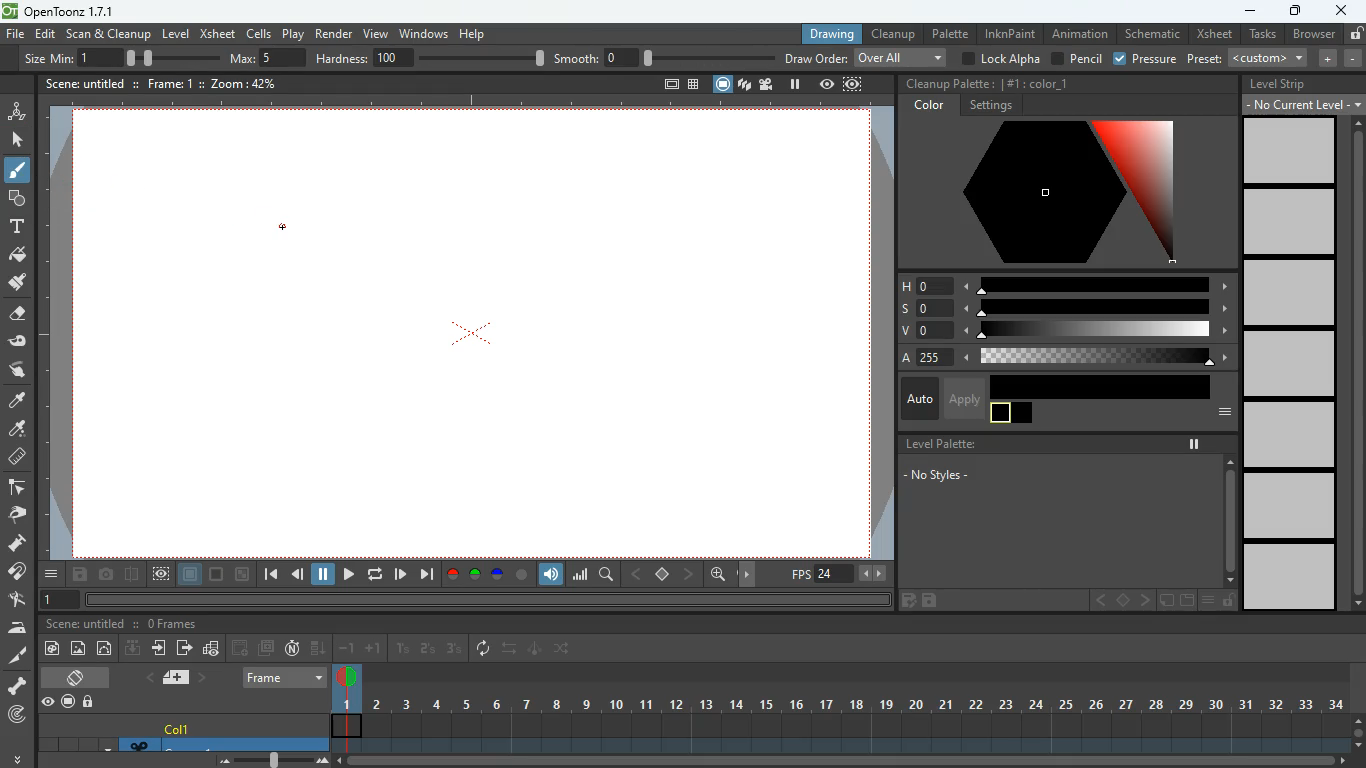 This screenshot has width=1366, height=768. What do you see at coordinates (1291, 506) in the screenshot?
I see `level` at bounding box center [1291, 506].